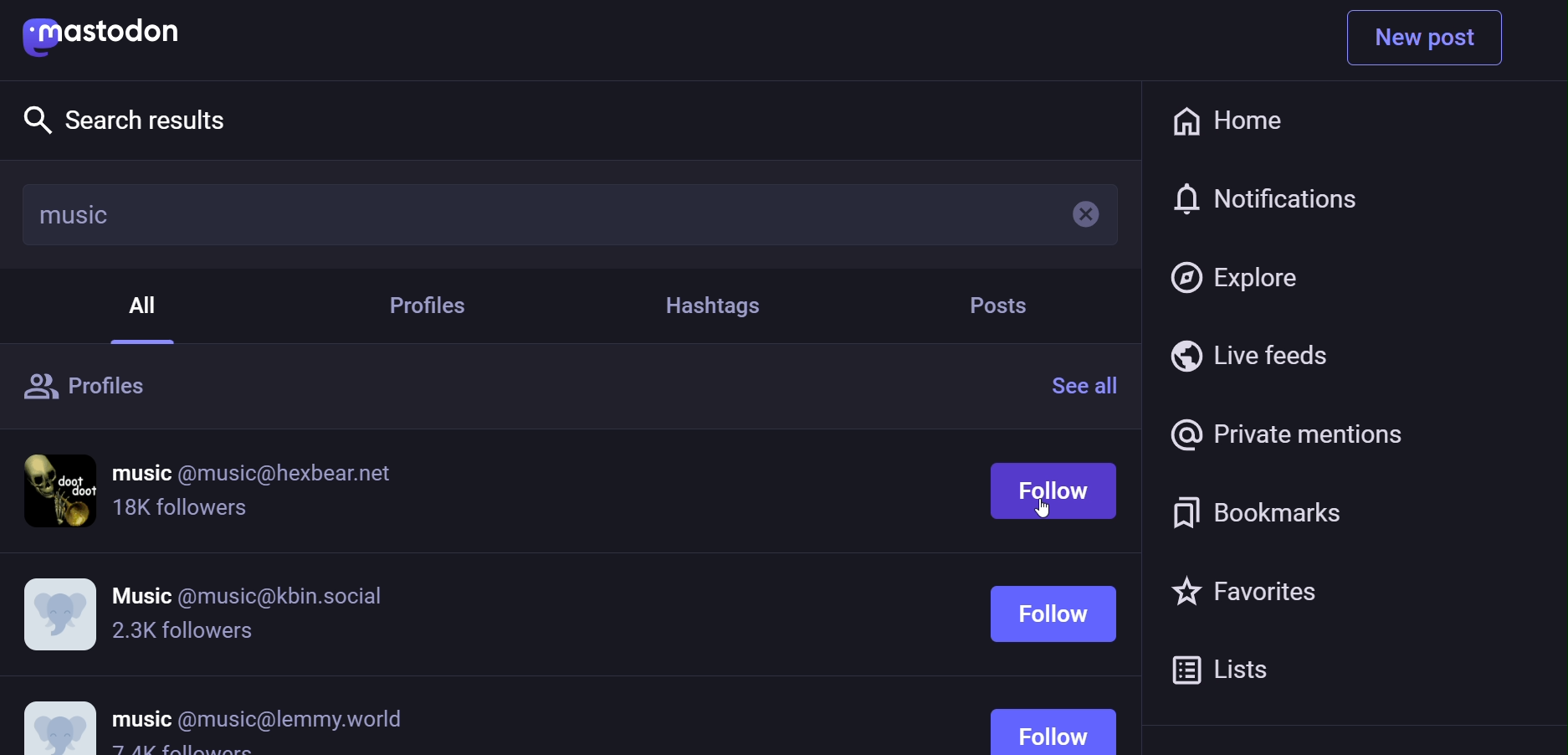  Describe the element at coordinates (259, 718) in the screenshot. I see `name` at that location.